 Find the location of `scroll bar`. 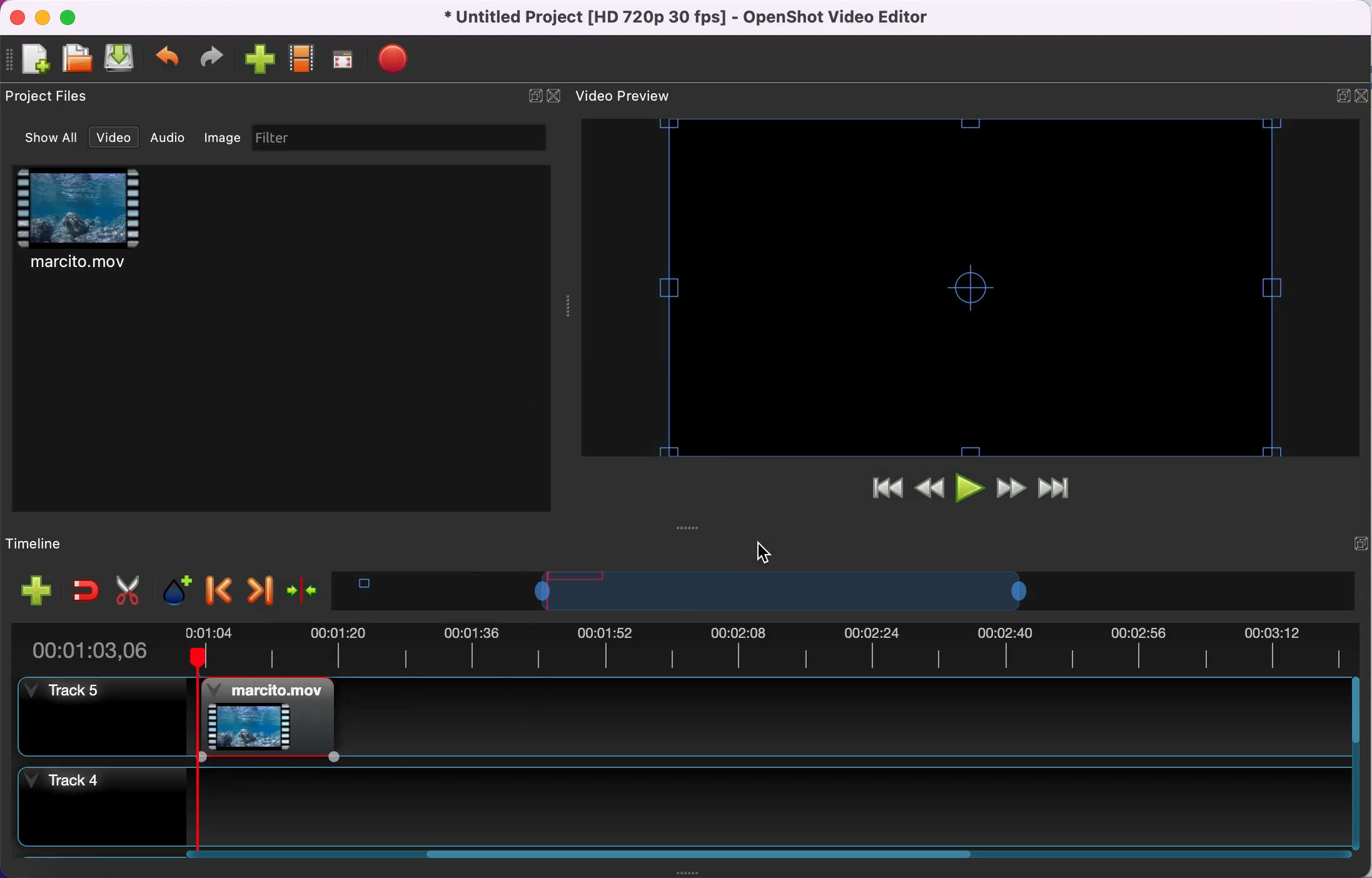

scroll bar is located at coordinates (722, 856).